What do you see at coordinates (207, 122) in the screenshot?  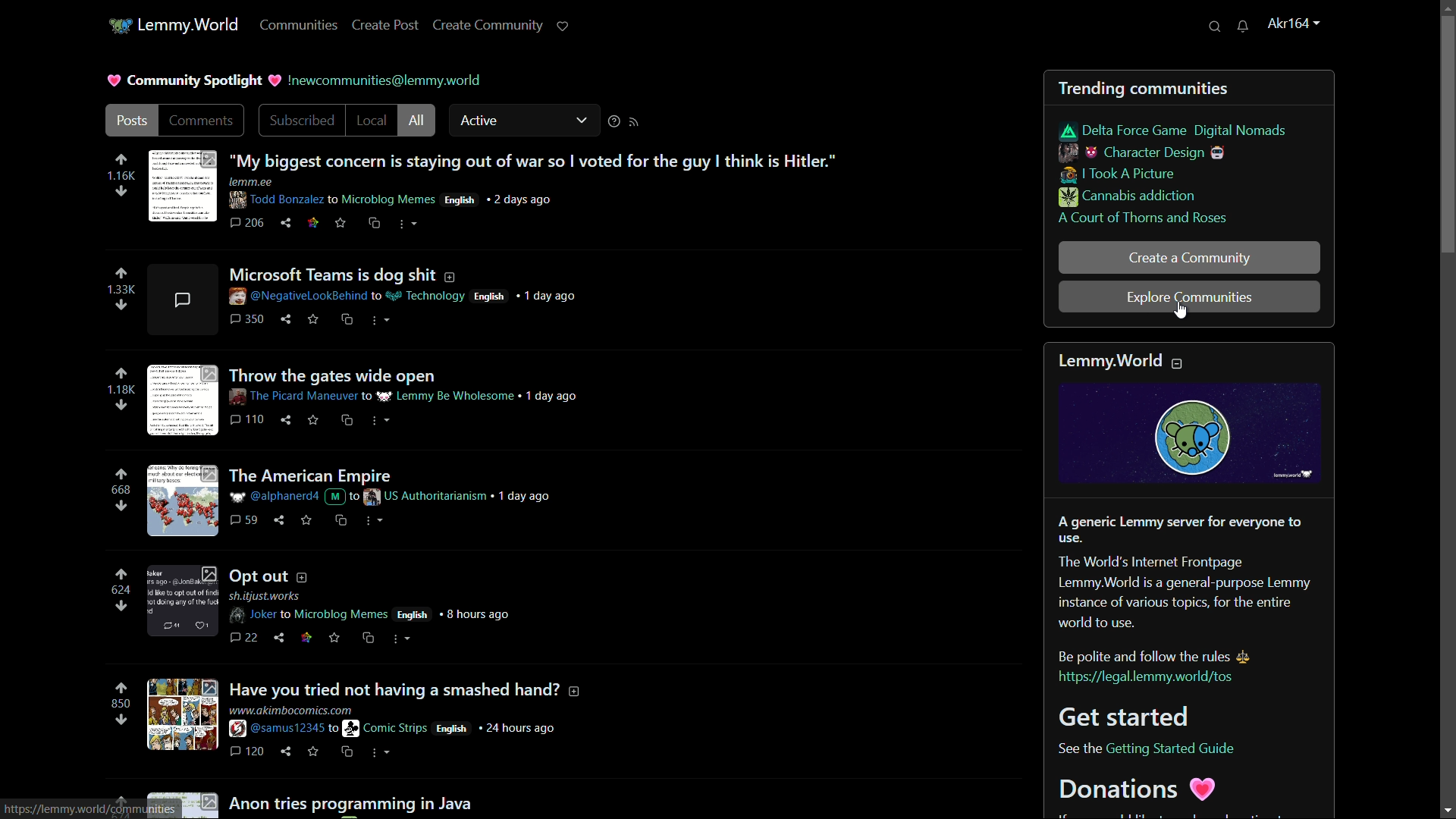 I see `comments` at bounding box center [207, 122].